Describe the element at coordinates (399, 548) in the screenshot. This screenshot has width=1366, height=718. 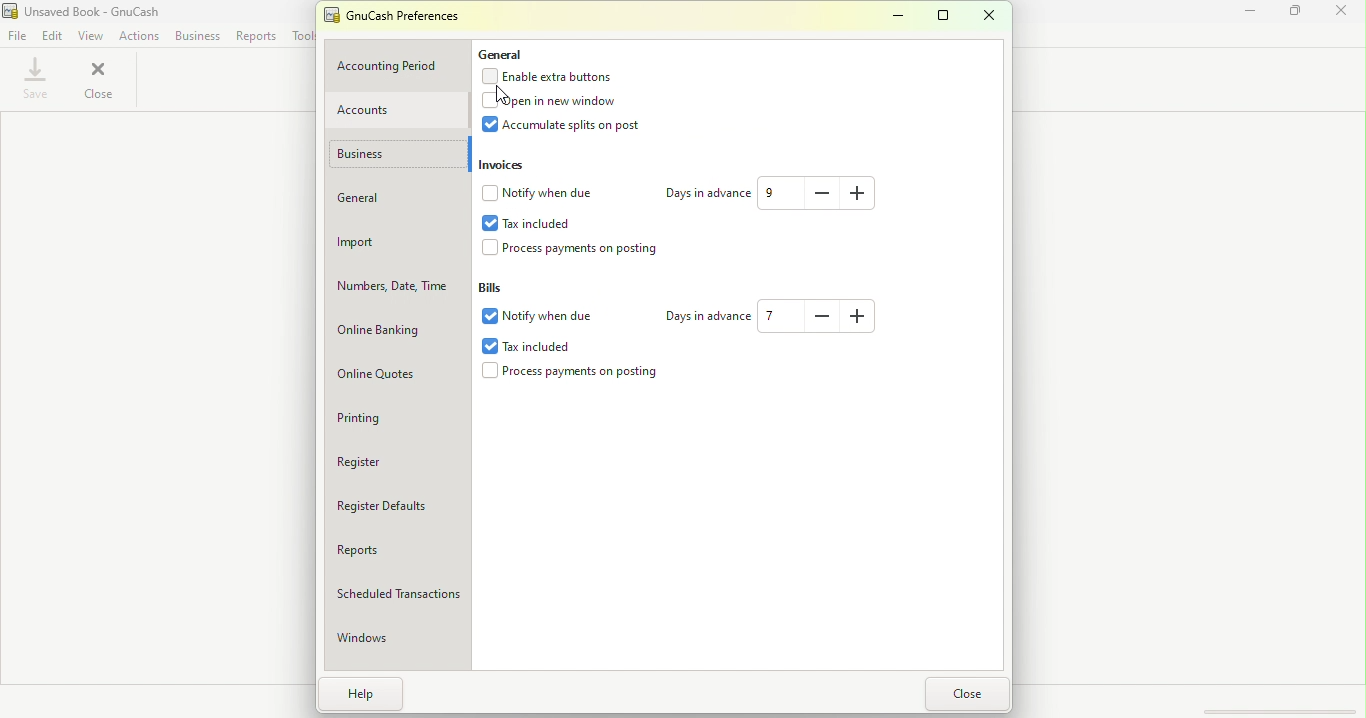
I see `Reports` at that location.